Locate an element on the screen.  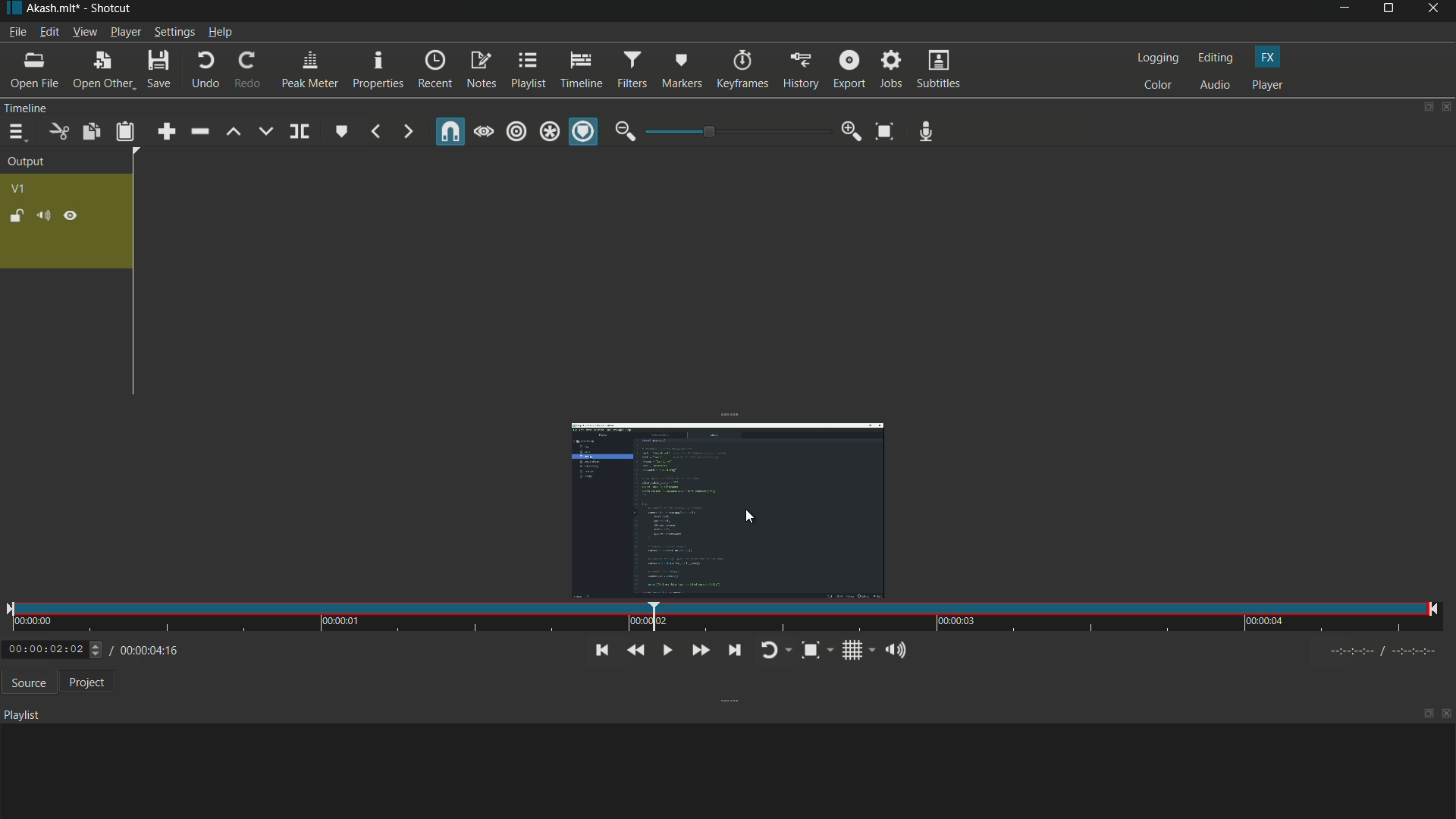
close timeline is located at coordinates (1447, 107).